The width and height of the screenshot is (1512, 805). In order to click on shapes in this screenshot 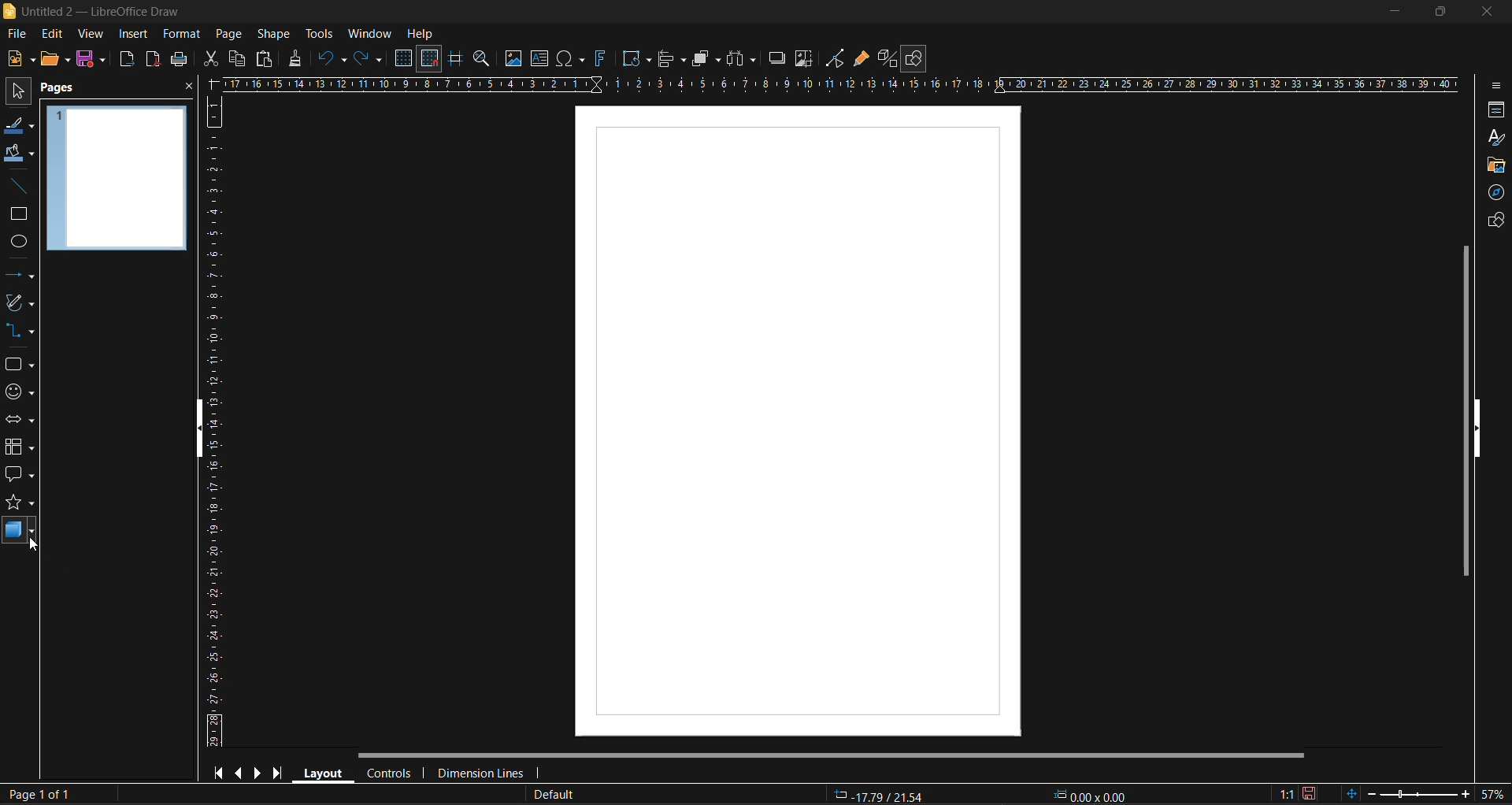, I will do `click(18, 365)`.